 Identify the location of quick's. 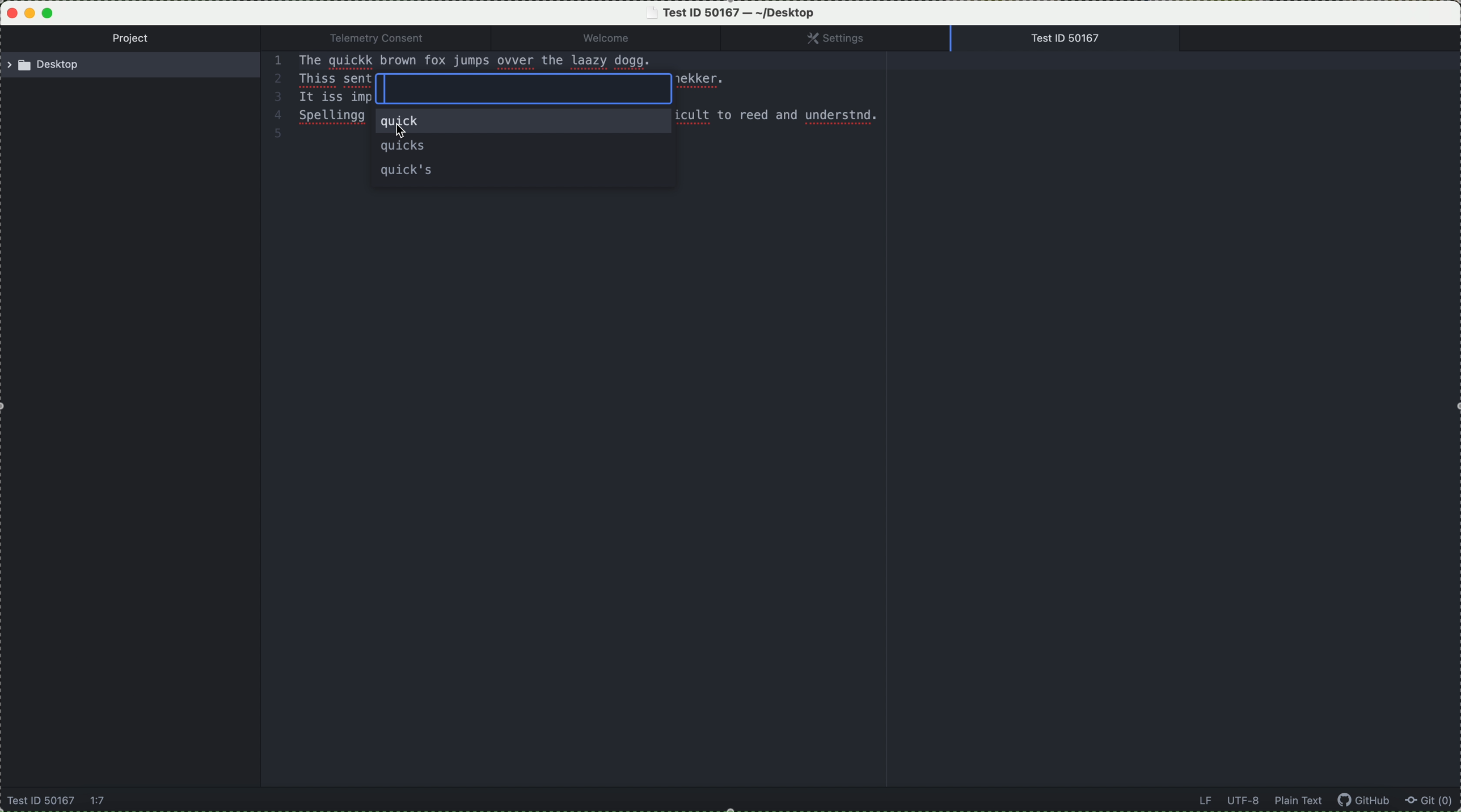
(407, 171).